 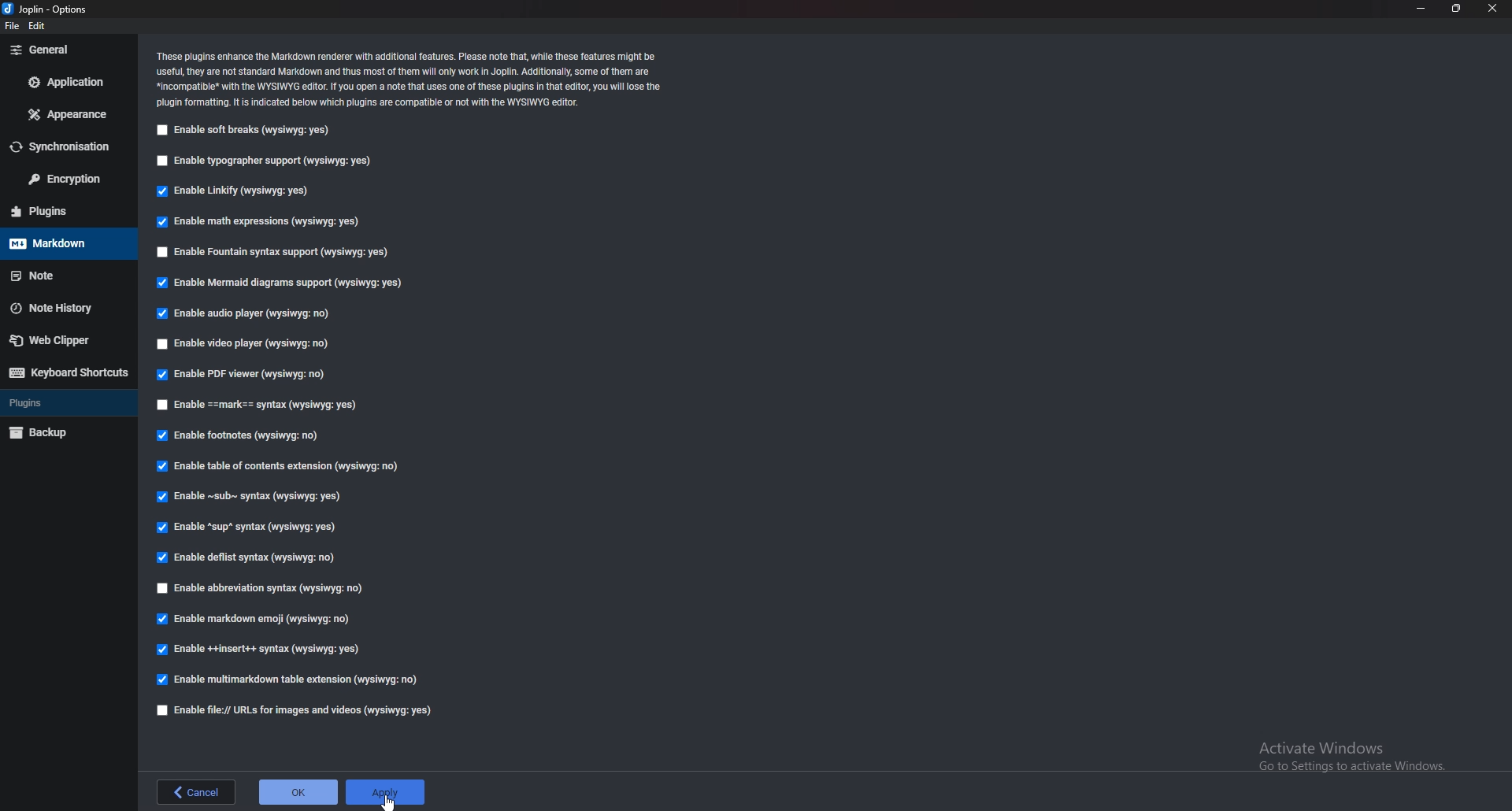 I want to click on Enable footnotes (wysiqyg:no), so click(x=236, y=435).